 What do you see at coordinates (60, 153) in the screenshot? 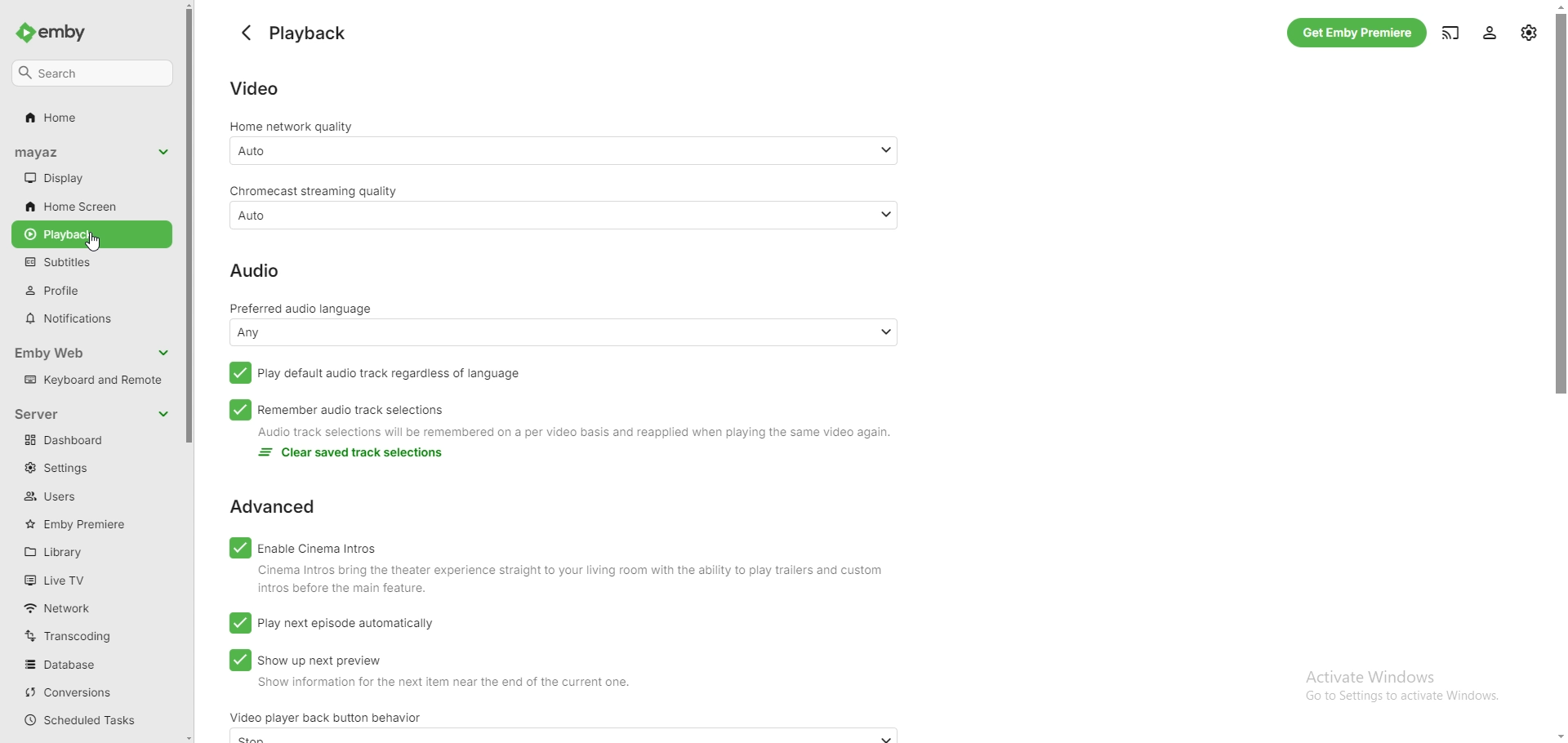
I see `username` at bounding box center [60, 153].